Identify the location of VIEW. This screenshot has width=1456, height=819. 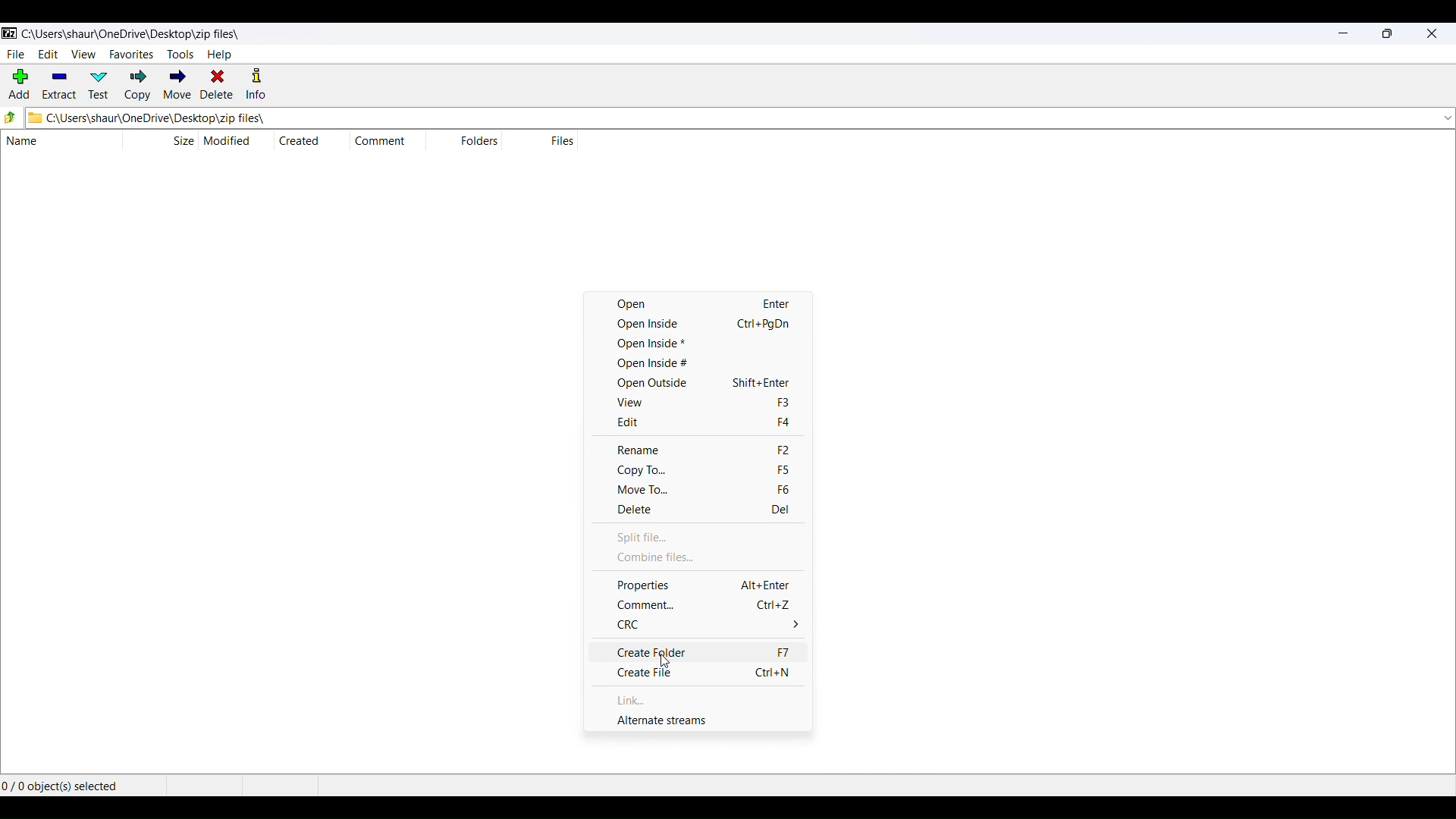
(83, 53).